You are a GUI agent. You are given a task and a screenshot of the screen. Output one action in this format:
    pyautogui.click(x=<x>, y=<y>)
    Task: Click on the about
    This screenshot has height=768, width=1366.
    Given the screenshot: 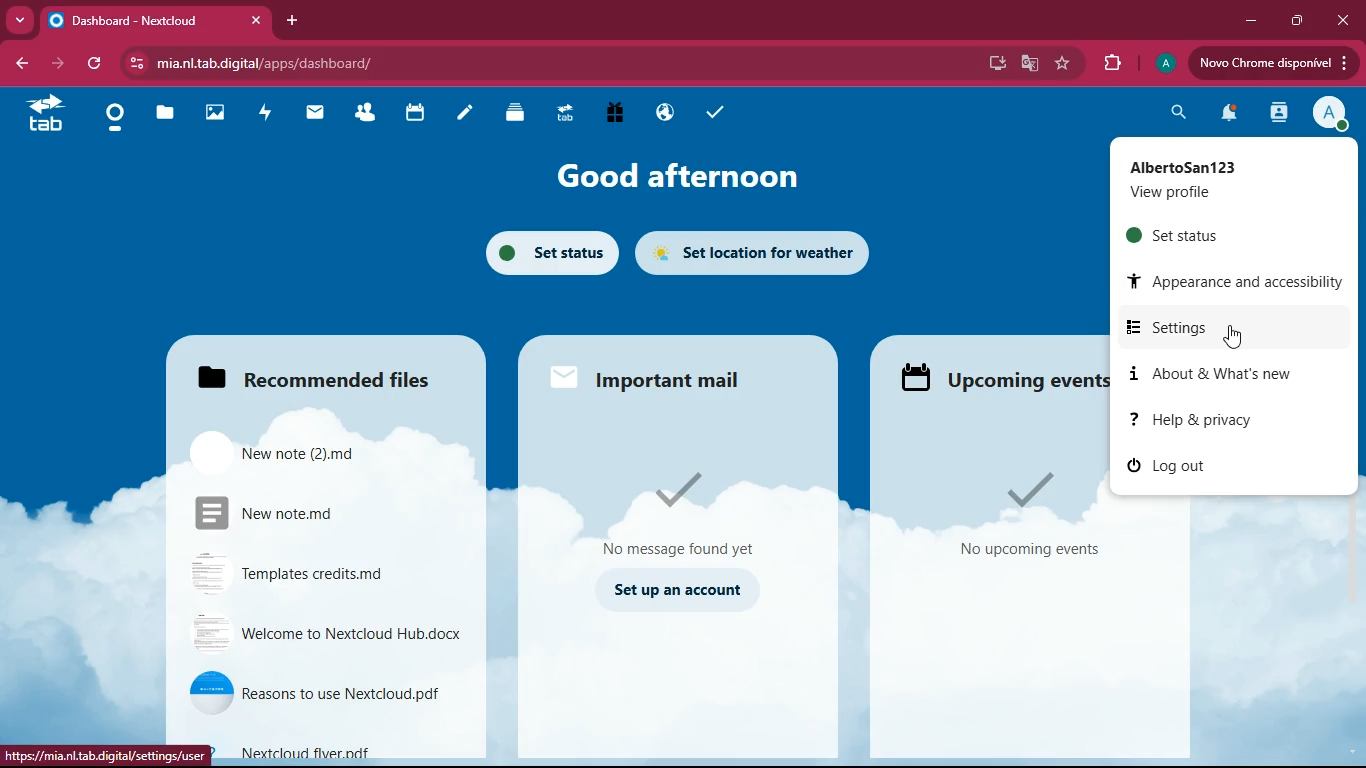 What is the action you would take?
    pyautogui.click(x=1209, y=372)
    